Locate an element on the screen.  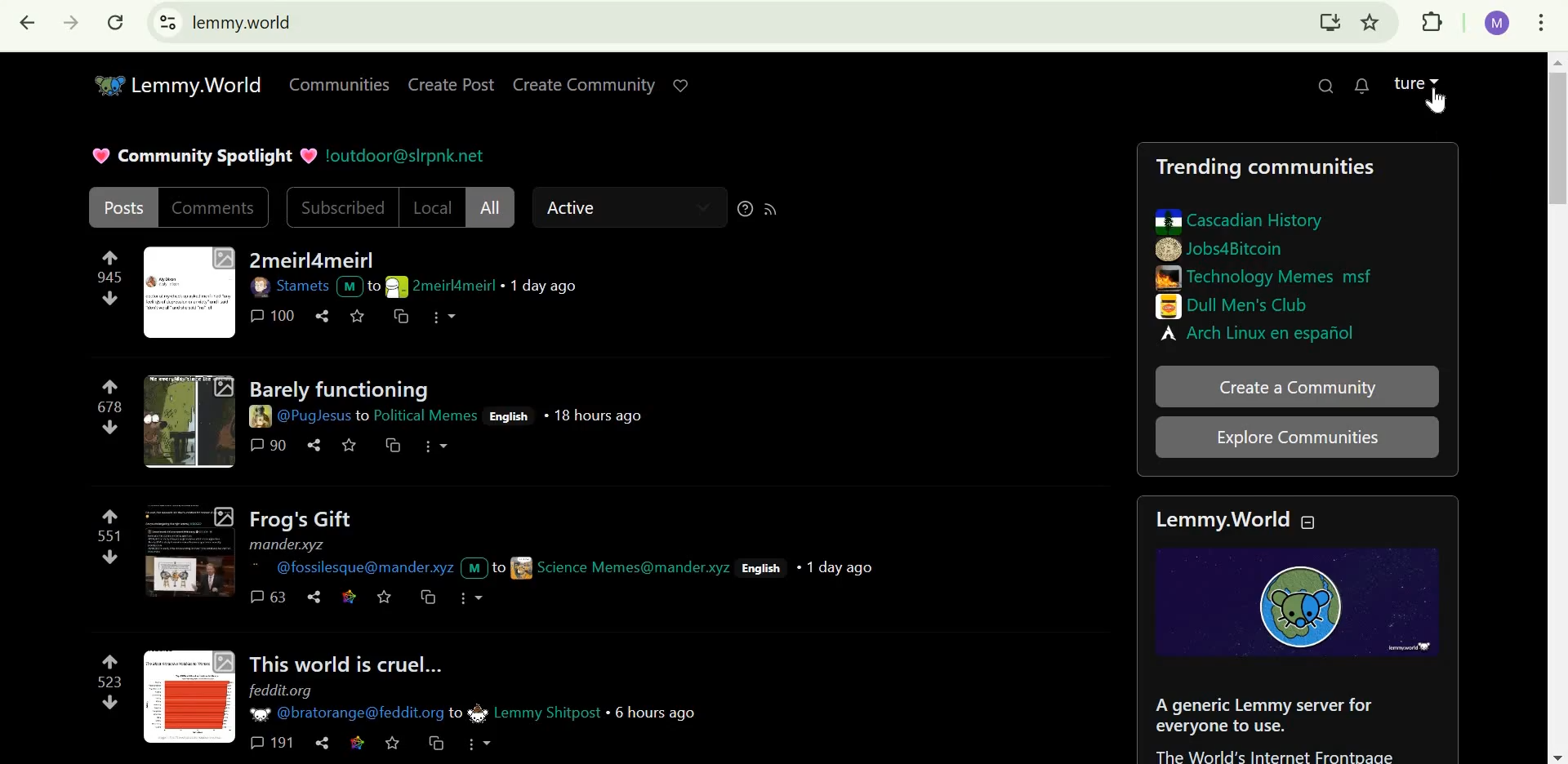
share is located at coordinates (323, 742).